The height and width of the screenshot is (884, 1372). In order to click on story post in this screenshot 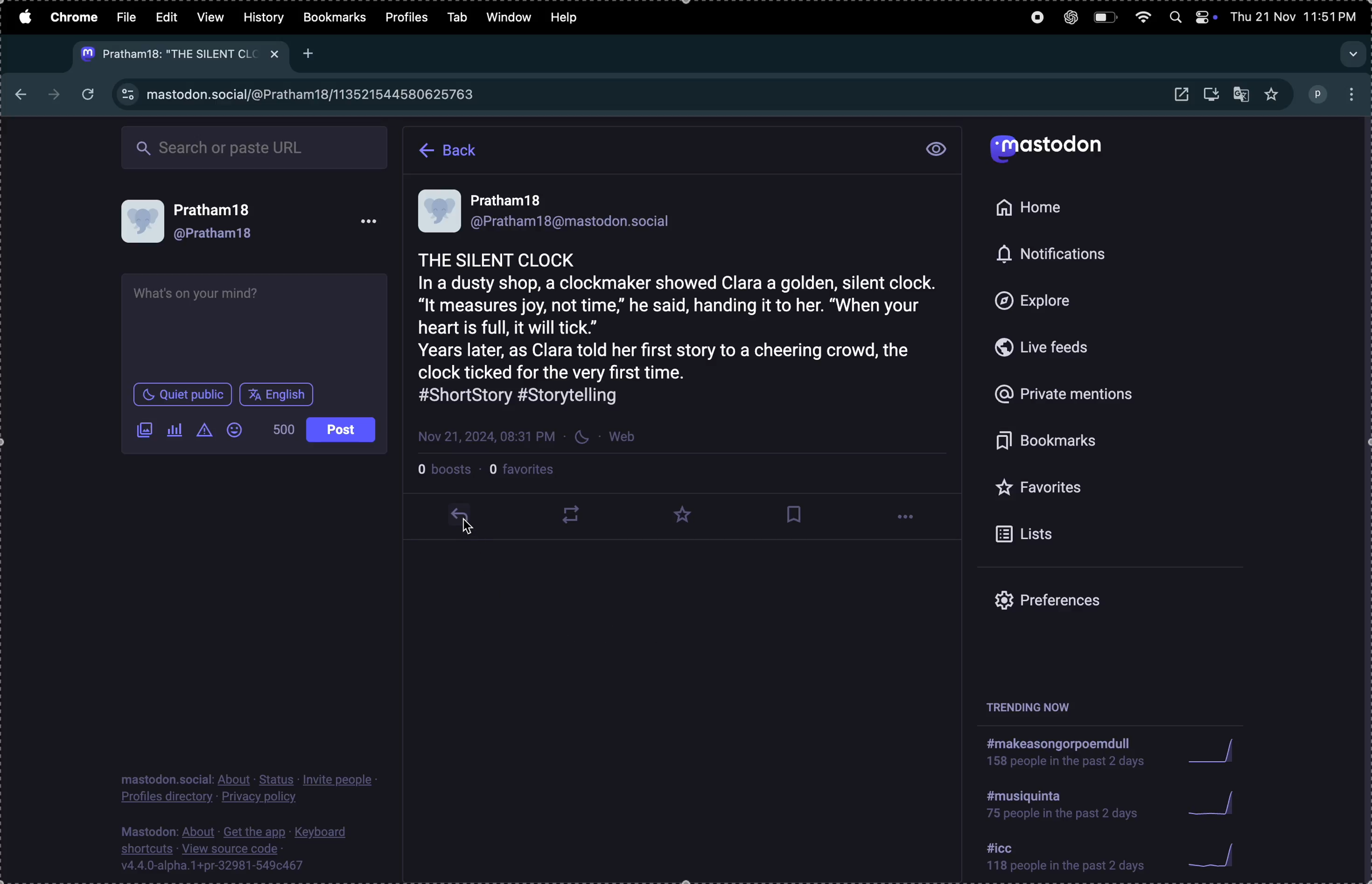, I will do `click(684, 317)`.